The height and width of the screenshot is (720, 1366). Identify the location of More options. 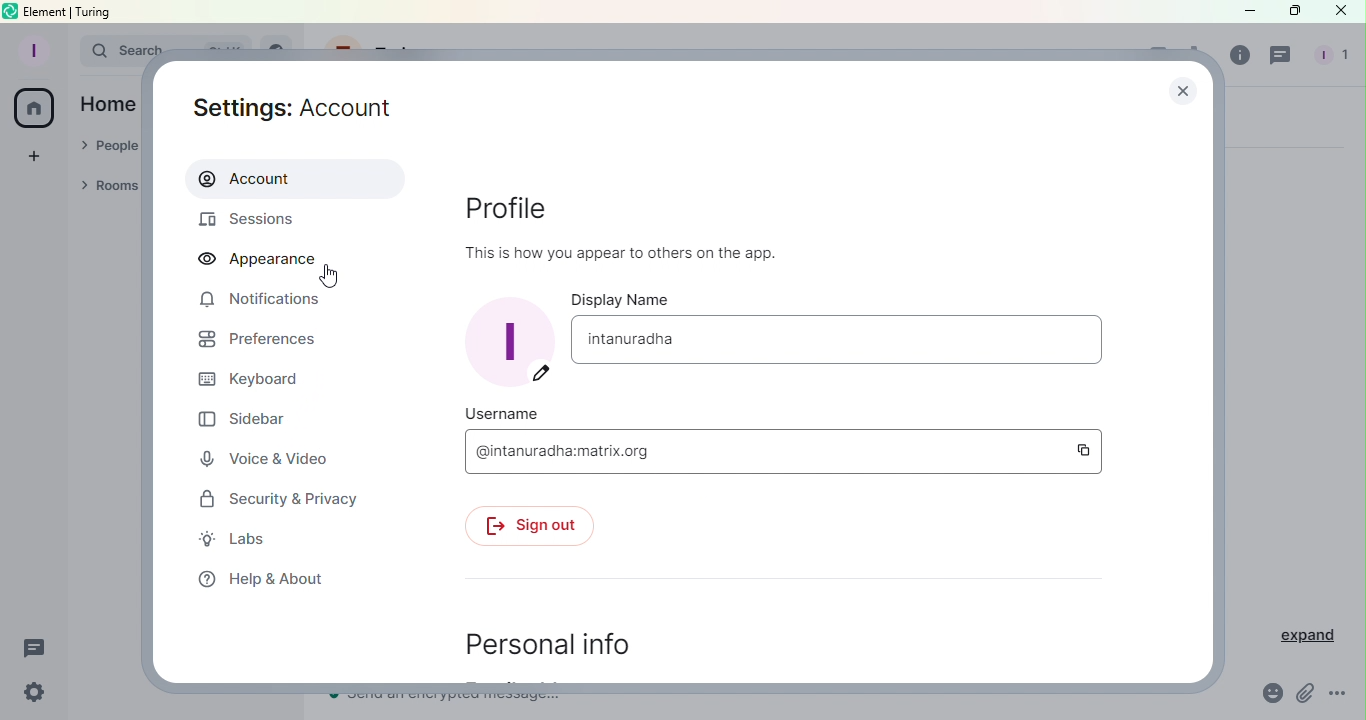
(1340, 695).